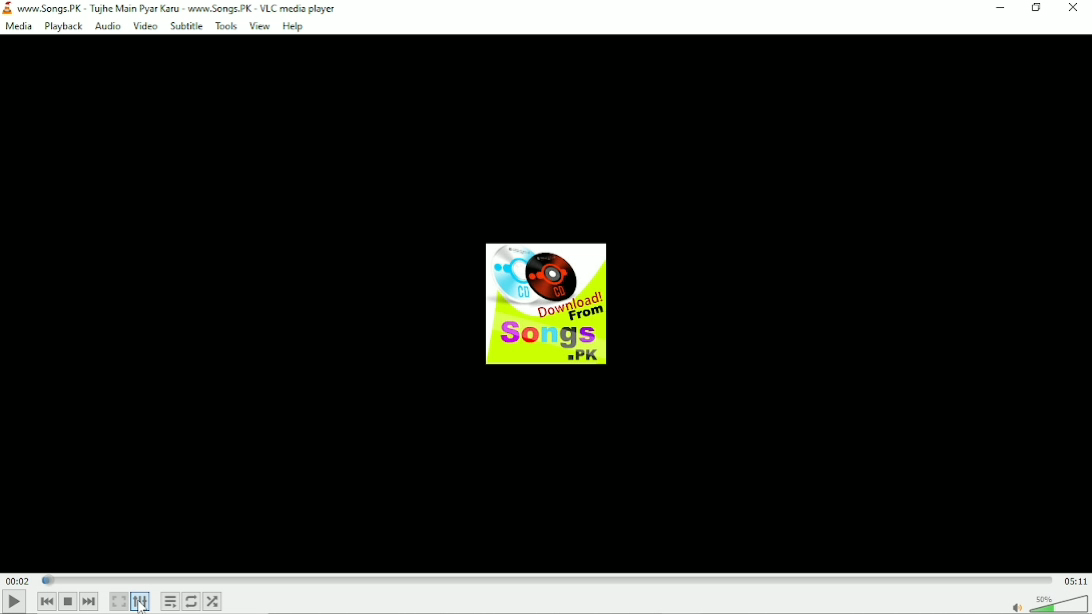  Describe the element at coordinates (142, 601) in the screenshot. I see `Show extended settings` at that location.